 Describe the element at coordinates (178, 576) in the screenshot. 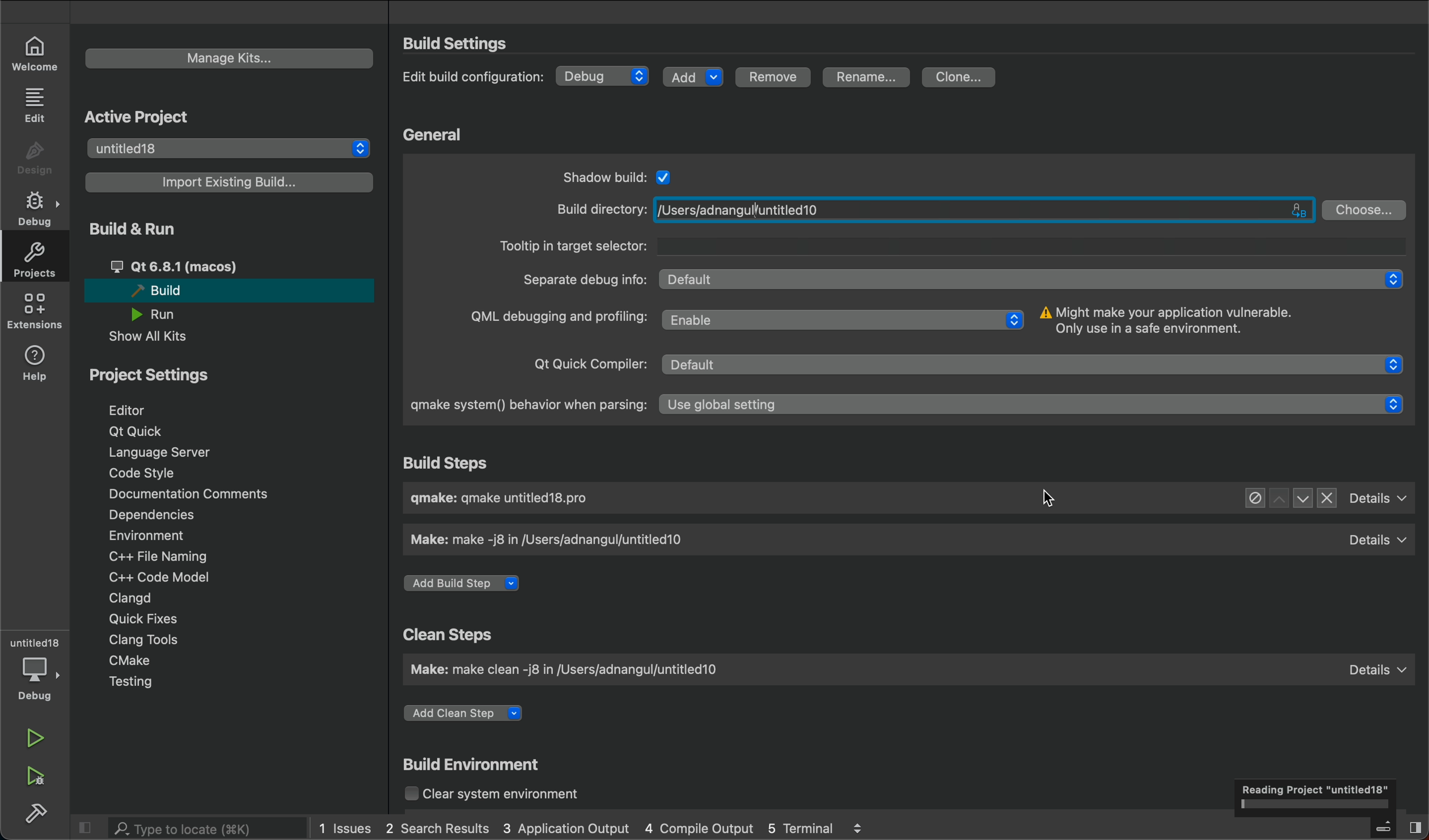

I see `C++ code model` at that location.